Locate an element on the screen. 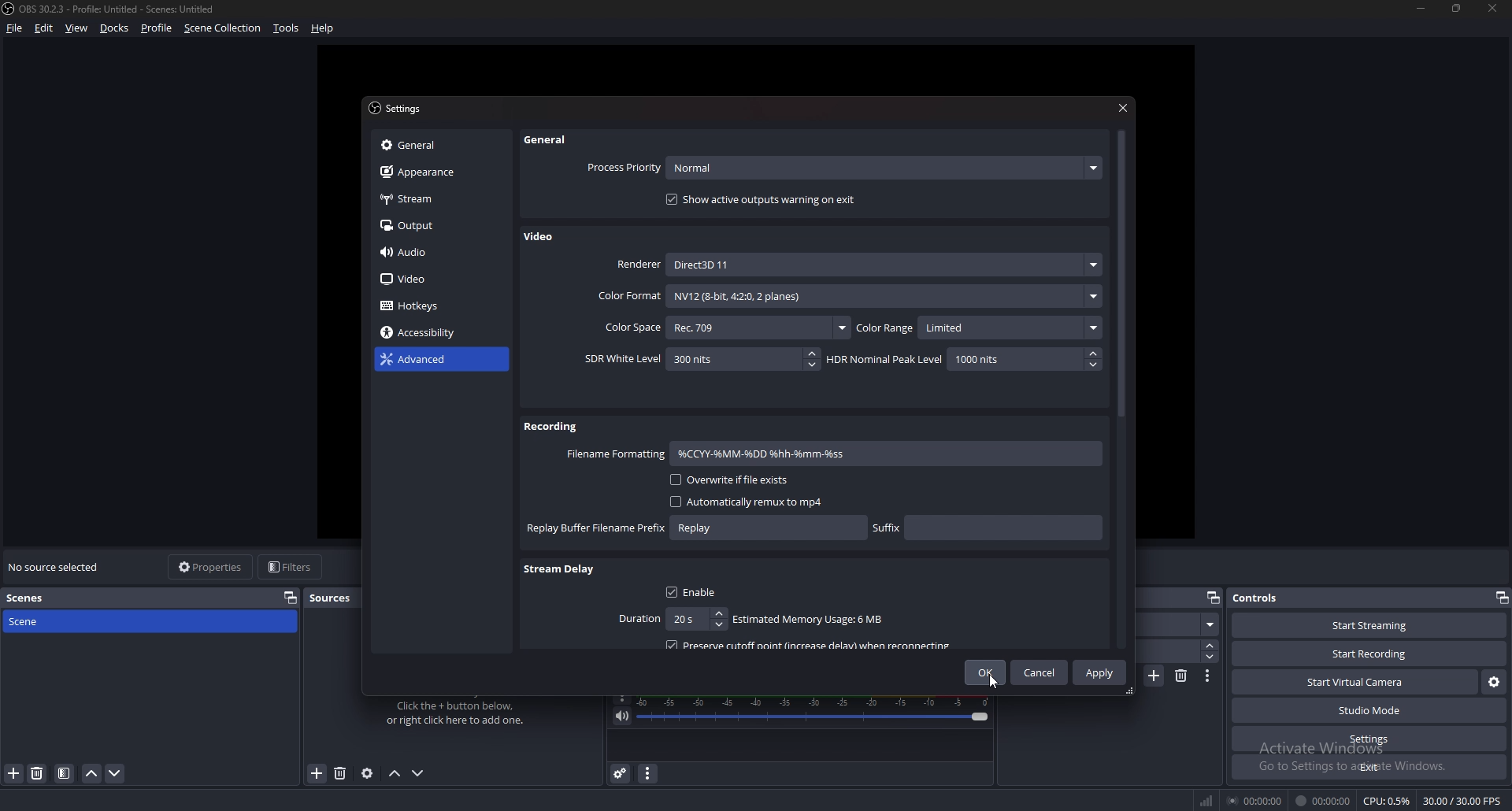 The width and height of the screenshot is (1512, 811). close is located at coordinates (1493, 8).